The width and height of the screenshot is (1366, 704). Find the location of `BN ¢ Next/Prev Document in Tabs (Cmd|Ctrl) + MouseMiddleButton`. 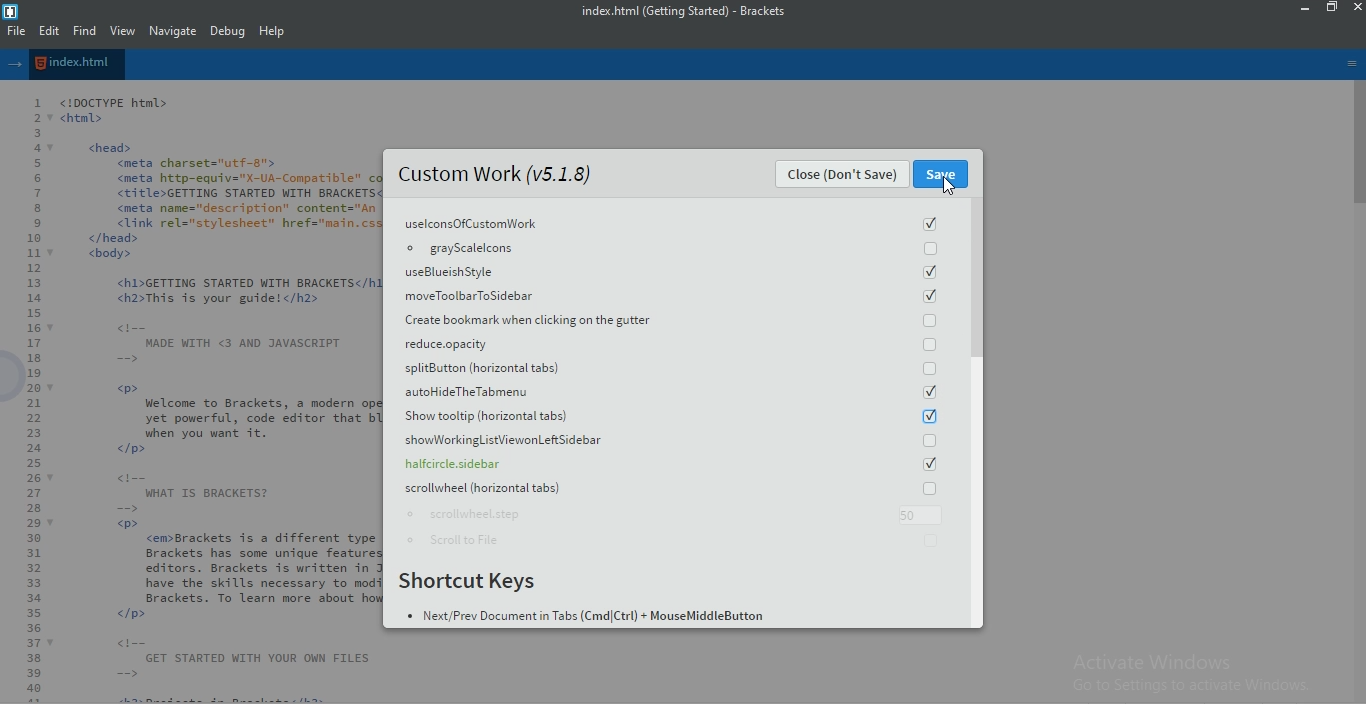

BN ¢ Next/Prev Document in Tabs (Cmd|Ctrl) + MouseMiddleButton is located at coordinates (583, 616).